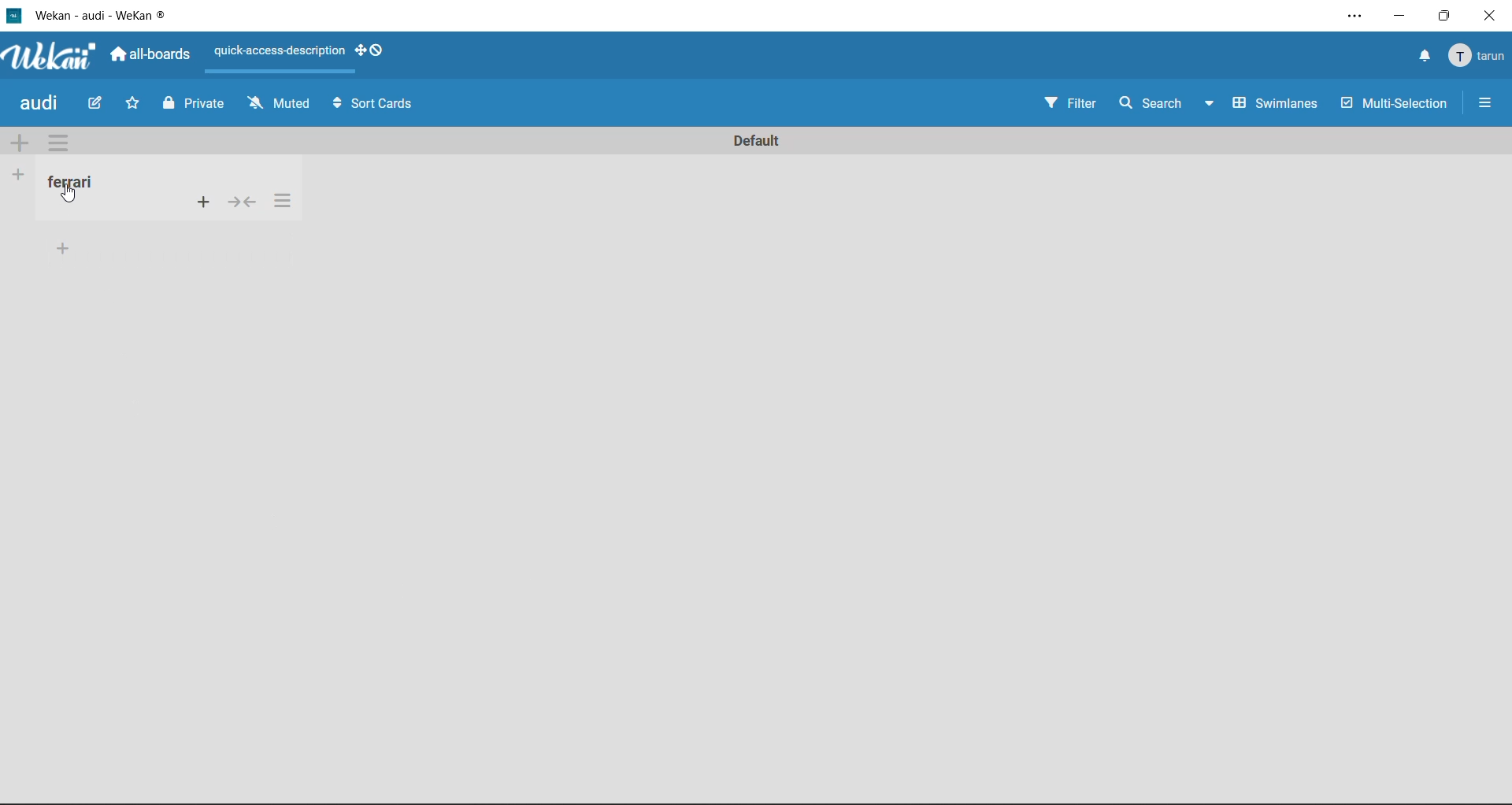 The image size is (1512, 805). What do you see at coordinates (1425, 57) in the screenshot?
I see `notifications` at bounding box center [1425, 57].